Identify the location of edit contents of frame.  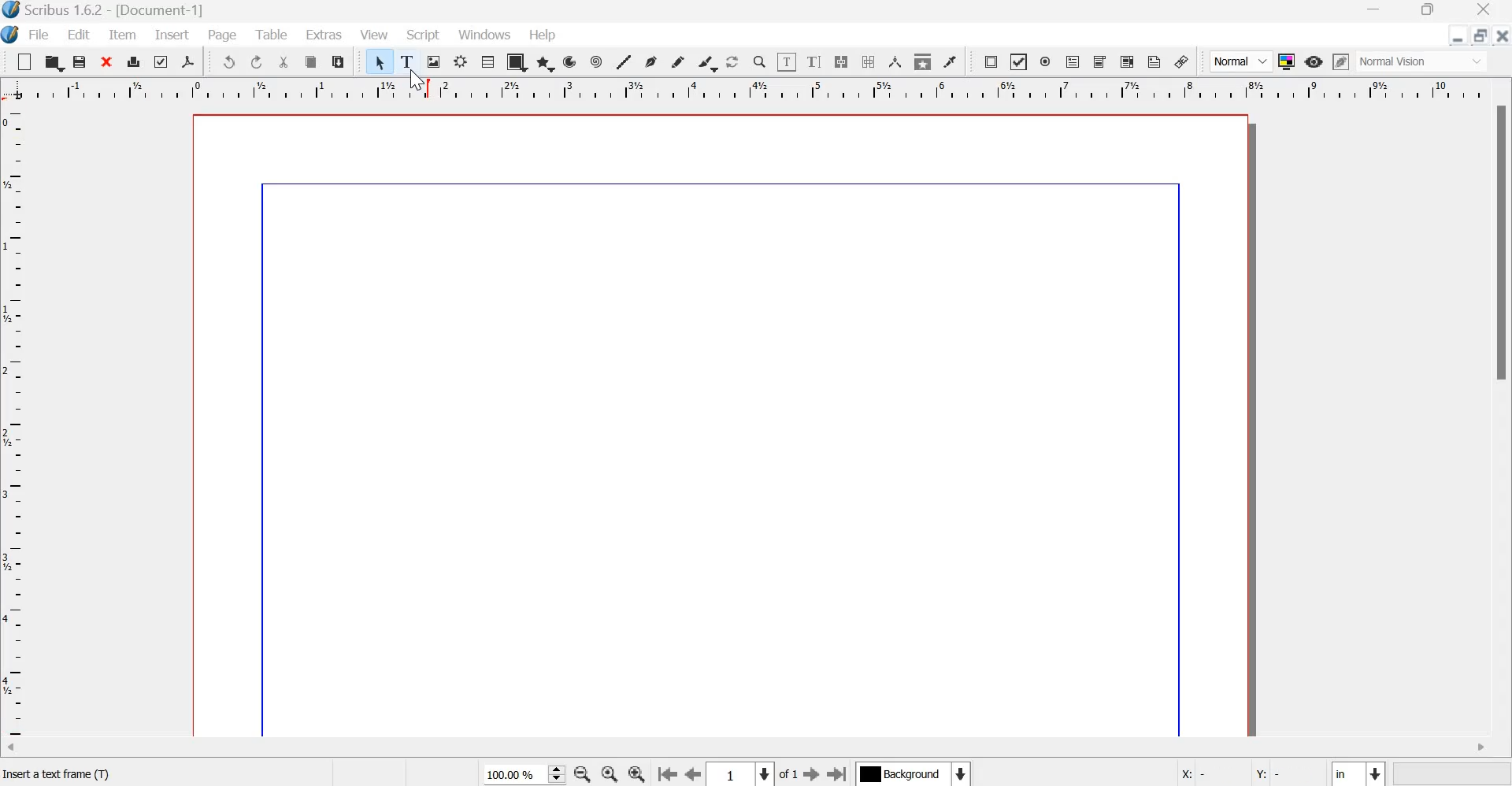
(786, 61).